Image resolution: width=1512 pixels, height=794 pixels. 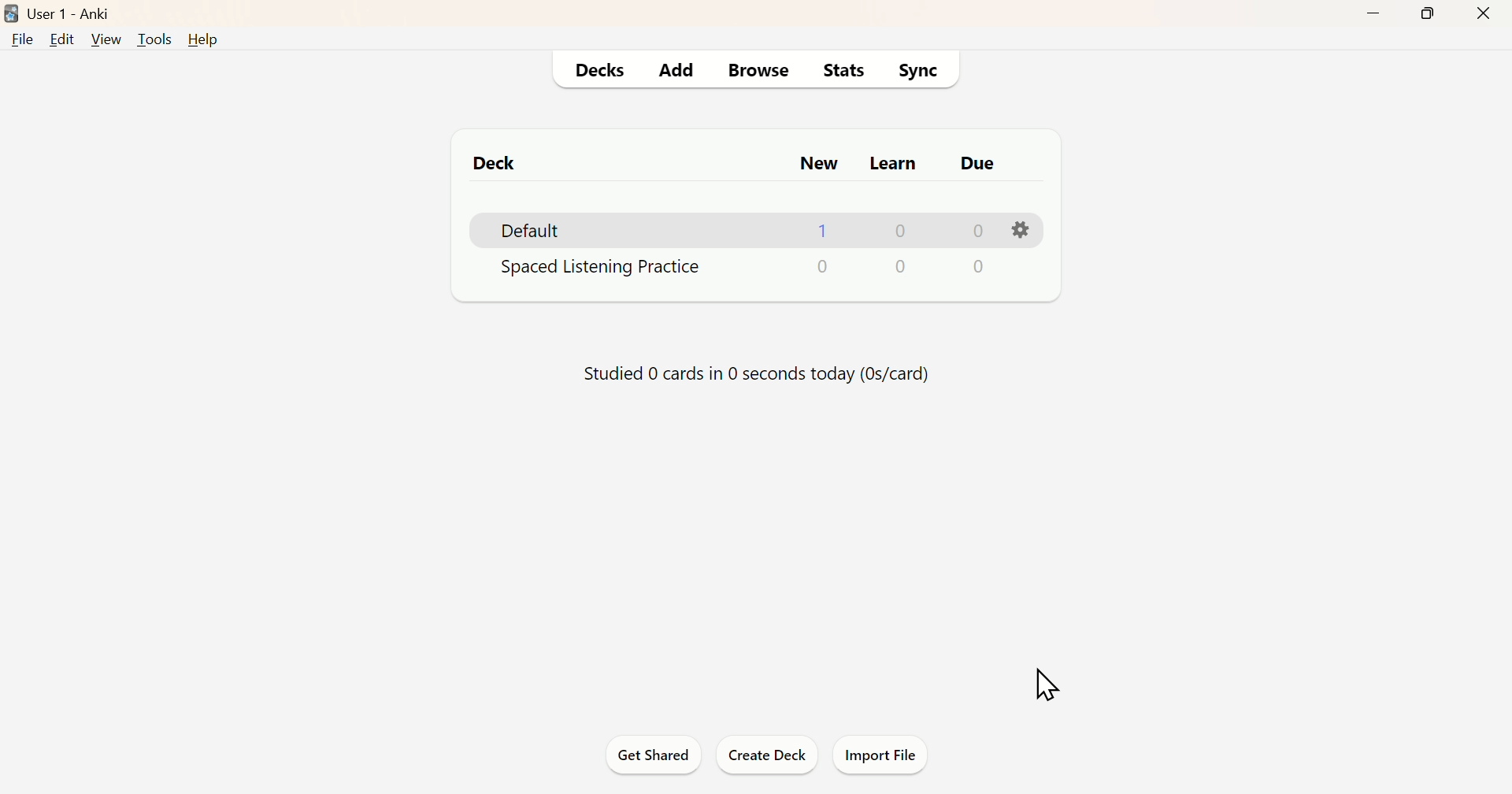 I want to click on 0, so click(x=974, y=230).